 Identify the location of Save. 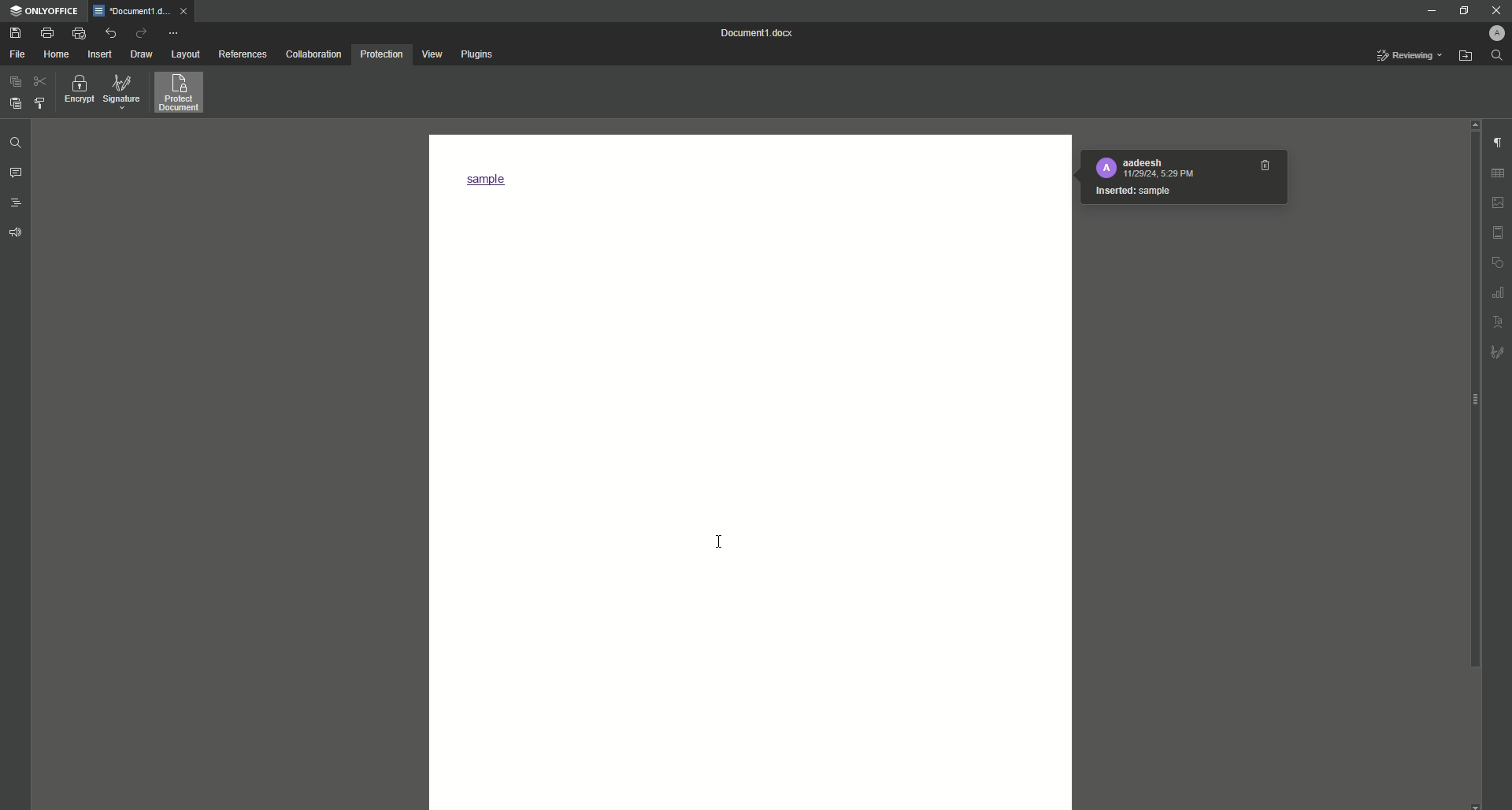
(13, 32).